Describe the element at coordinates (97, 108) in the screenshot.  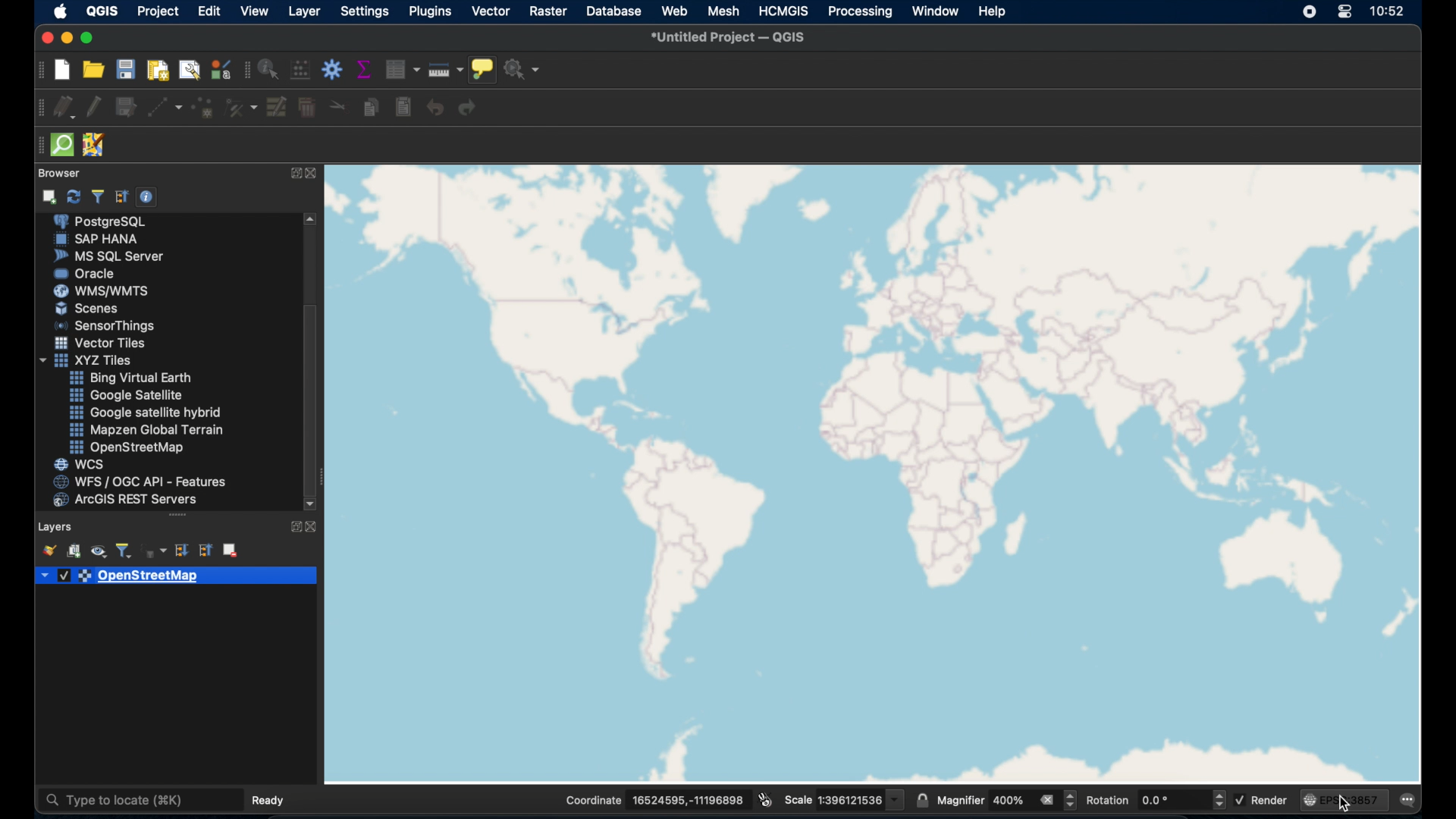
I see `toggle editing` at that location.